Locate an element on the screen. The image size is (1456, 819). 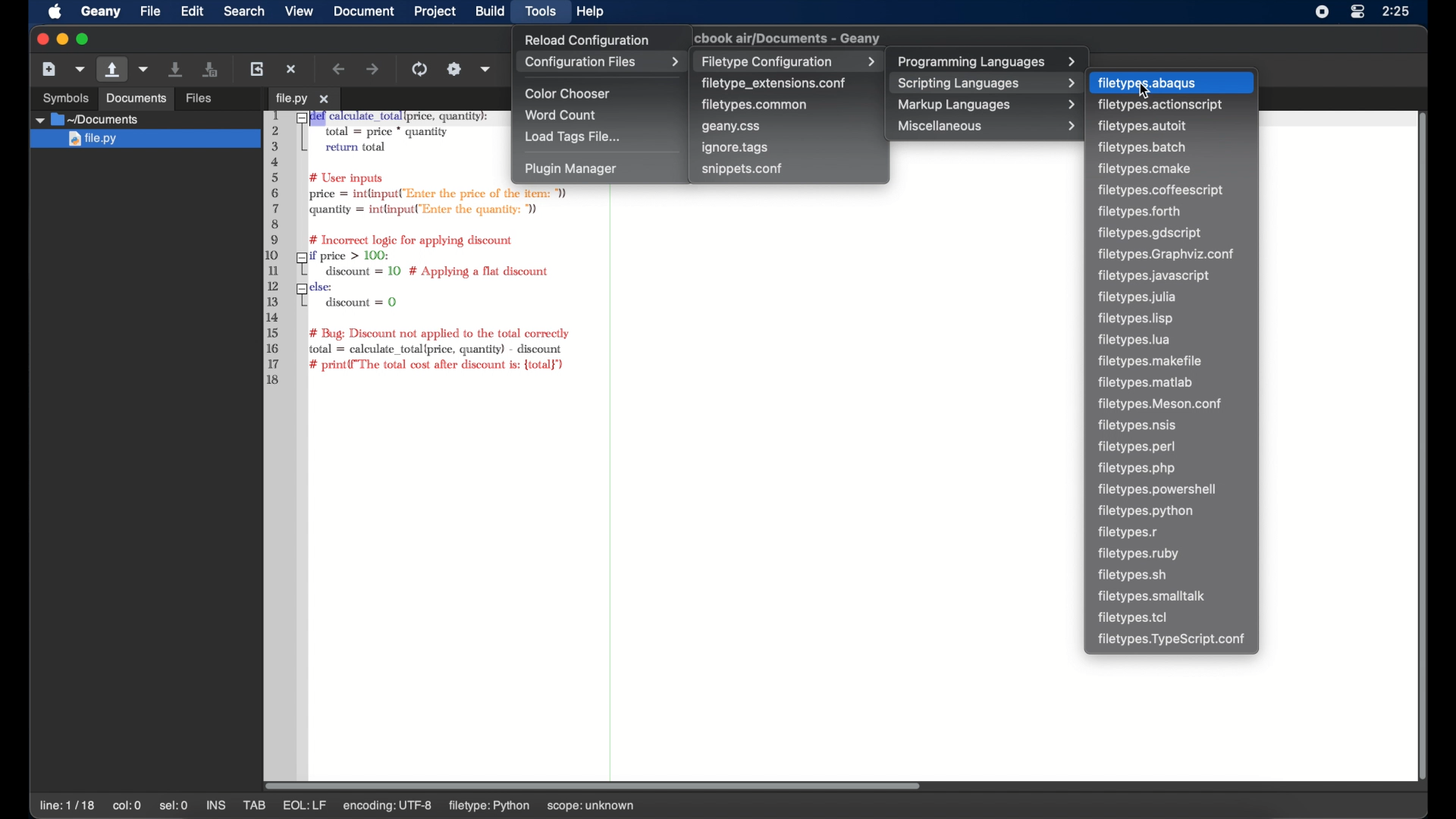
filetypes is located at coordinates (1137, 318).